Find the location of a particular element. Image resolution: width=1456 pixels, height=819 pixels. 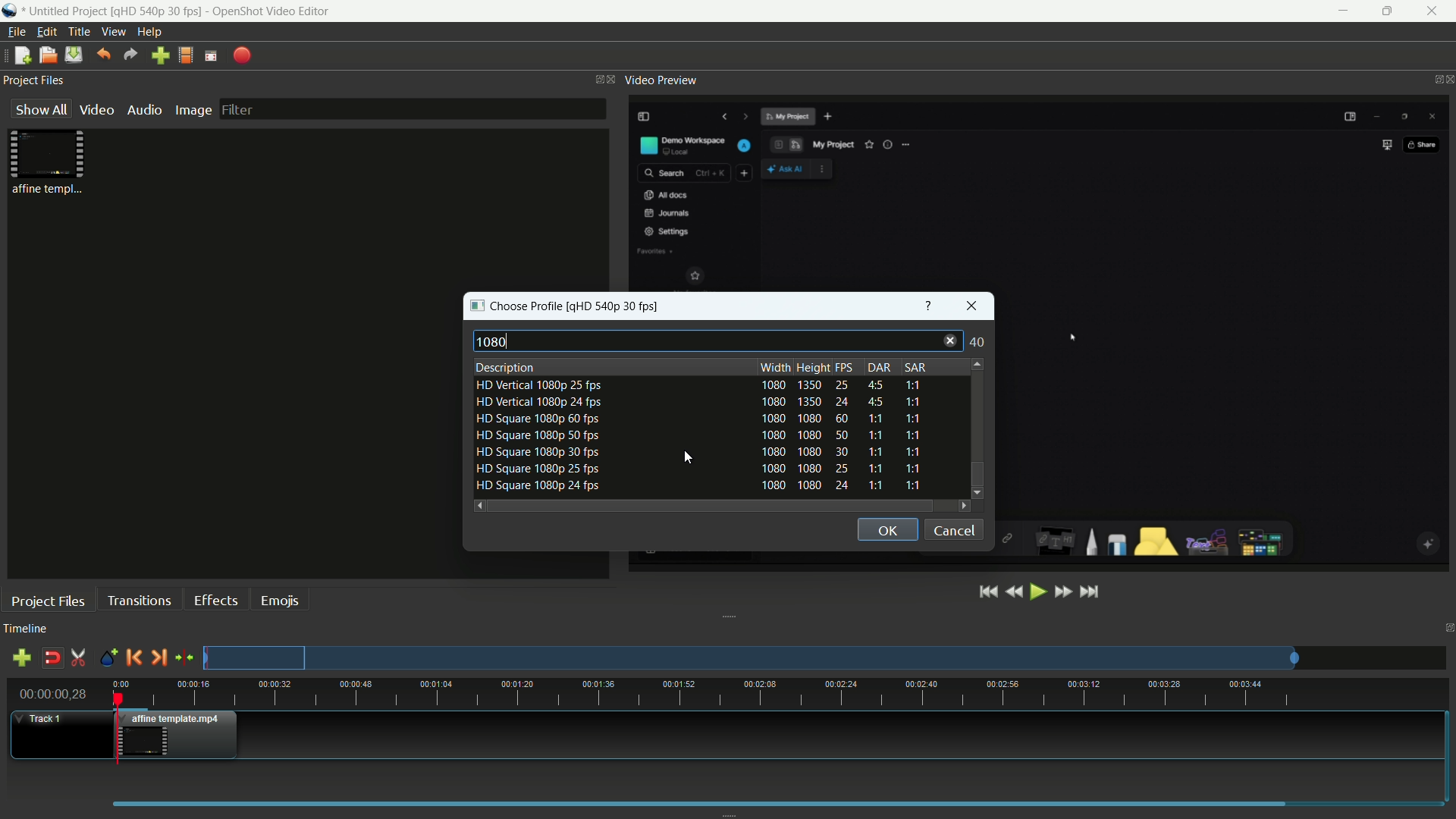

cursor is located at coordinates (690, 458).